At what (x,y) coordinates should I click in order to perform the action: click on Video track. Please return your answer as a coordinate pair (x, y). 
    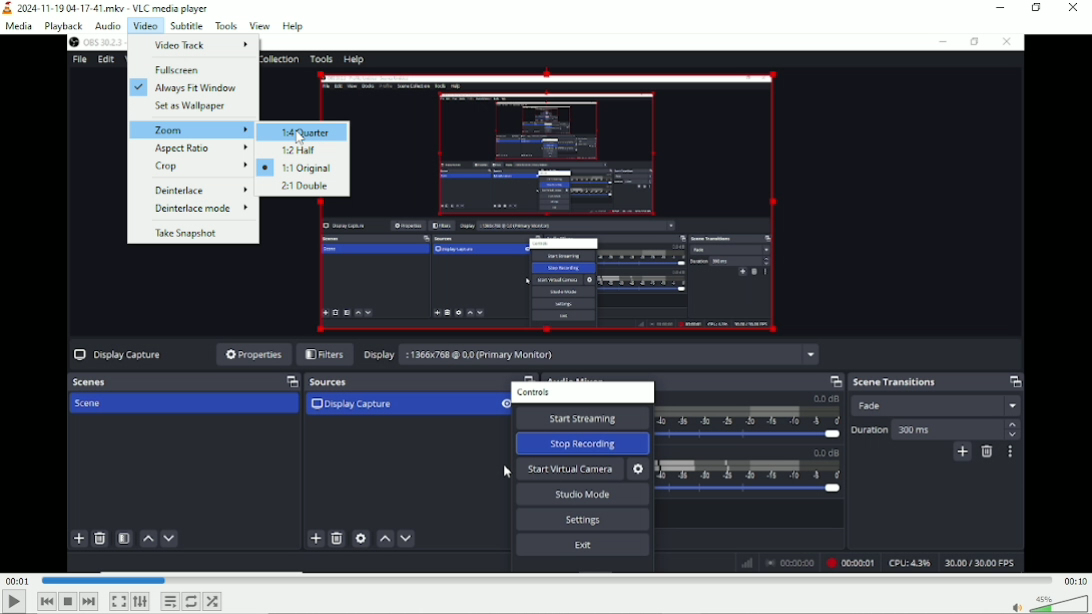
    Looking at the image, I should click on (193, 45).